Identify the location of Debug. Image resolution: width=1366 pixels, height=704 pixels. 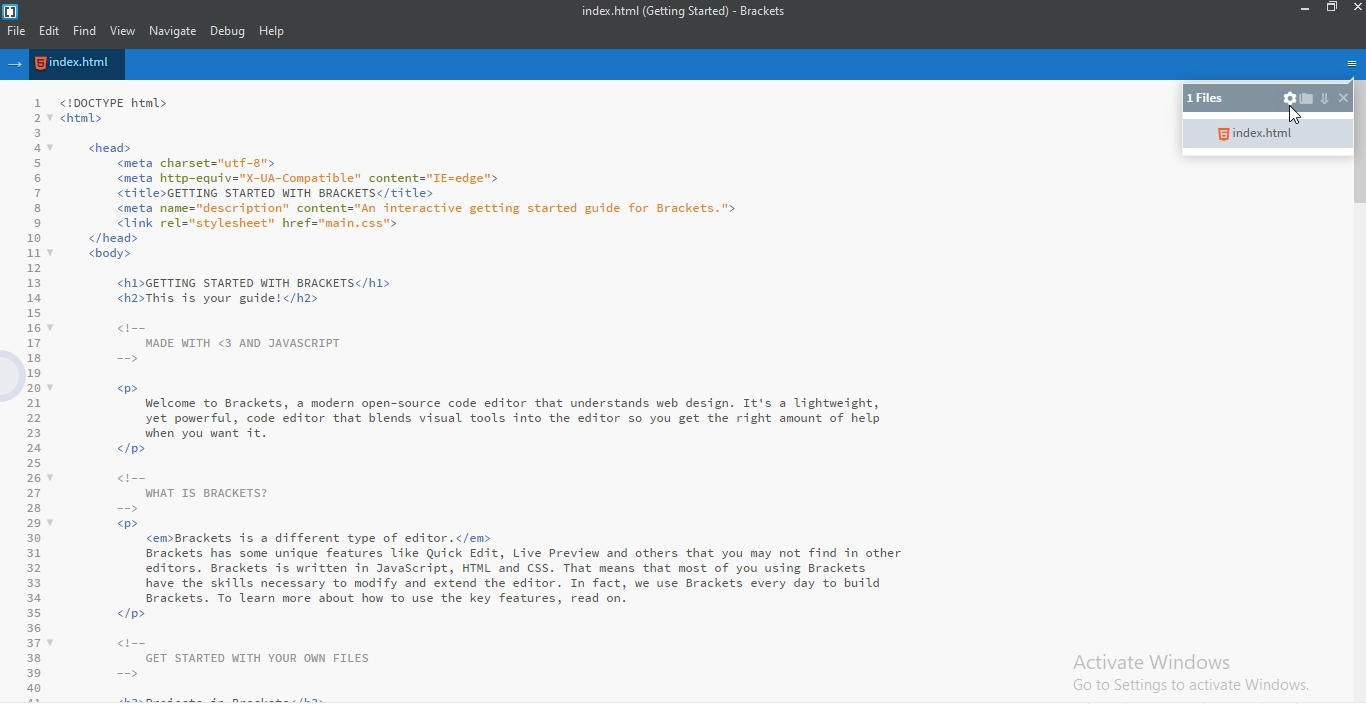
(229, 31).